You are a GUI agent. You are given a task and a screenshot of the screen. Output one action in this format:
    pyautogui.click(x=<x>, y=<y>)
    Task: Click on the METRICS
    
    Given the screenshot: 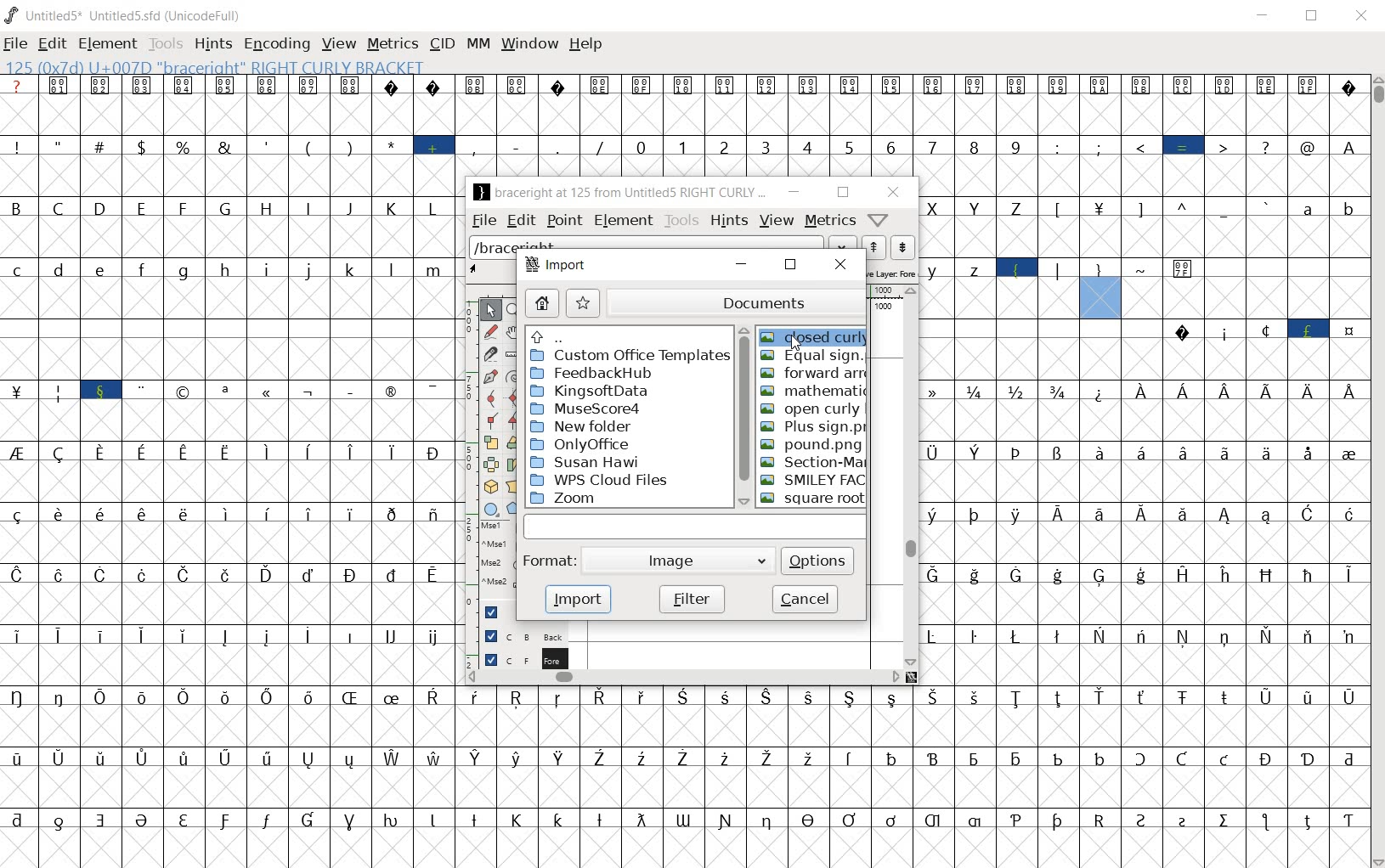 What is the action you would take?
    pyautogui.click(x=392, y=45)
    